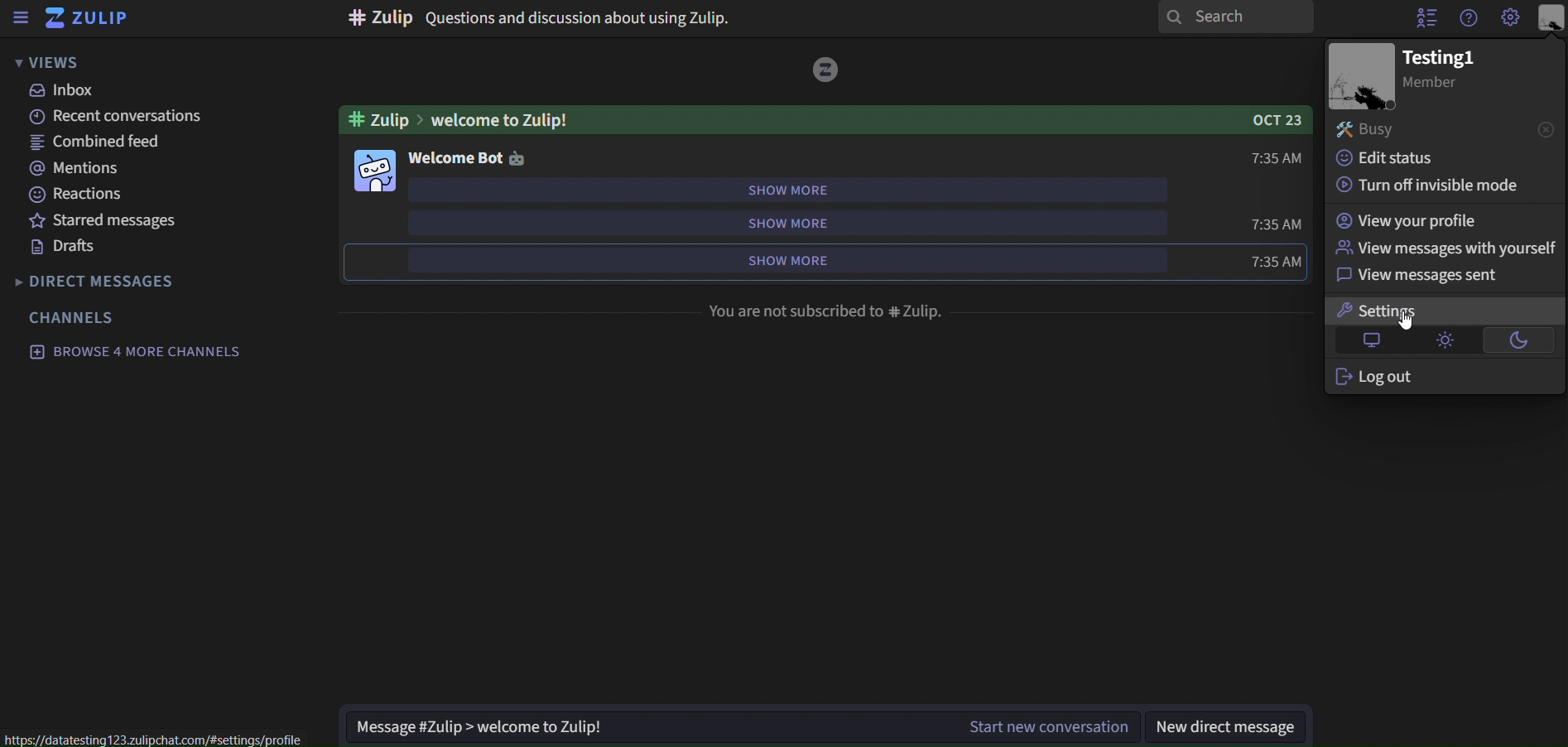 The width and height of the screenshot is (1568, 747). Describe the element at coordinates (785, 259) in the screenshot. I see `show more` at that location.